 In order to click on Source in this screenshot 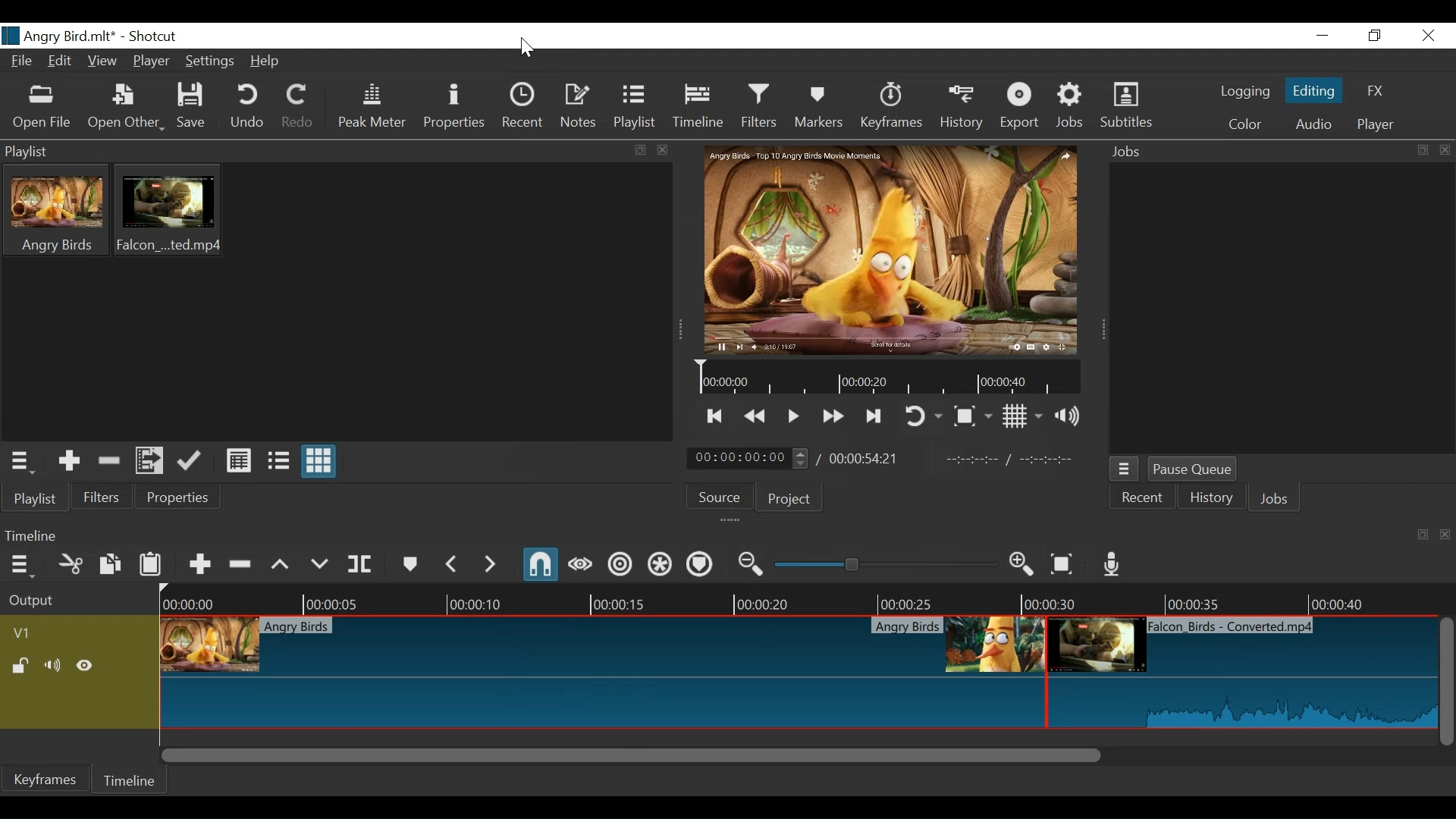, I will do `click(720, 495)`.